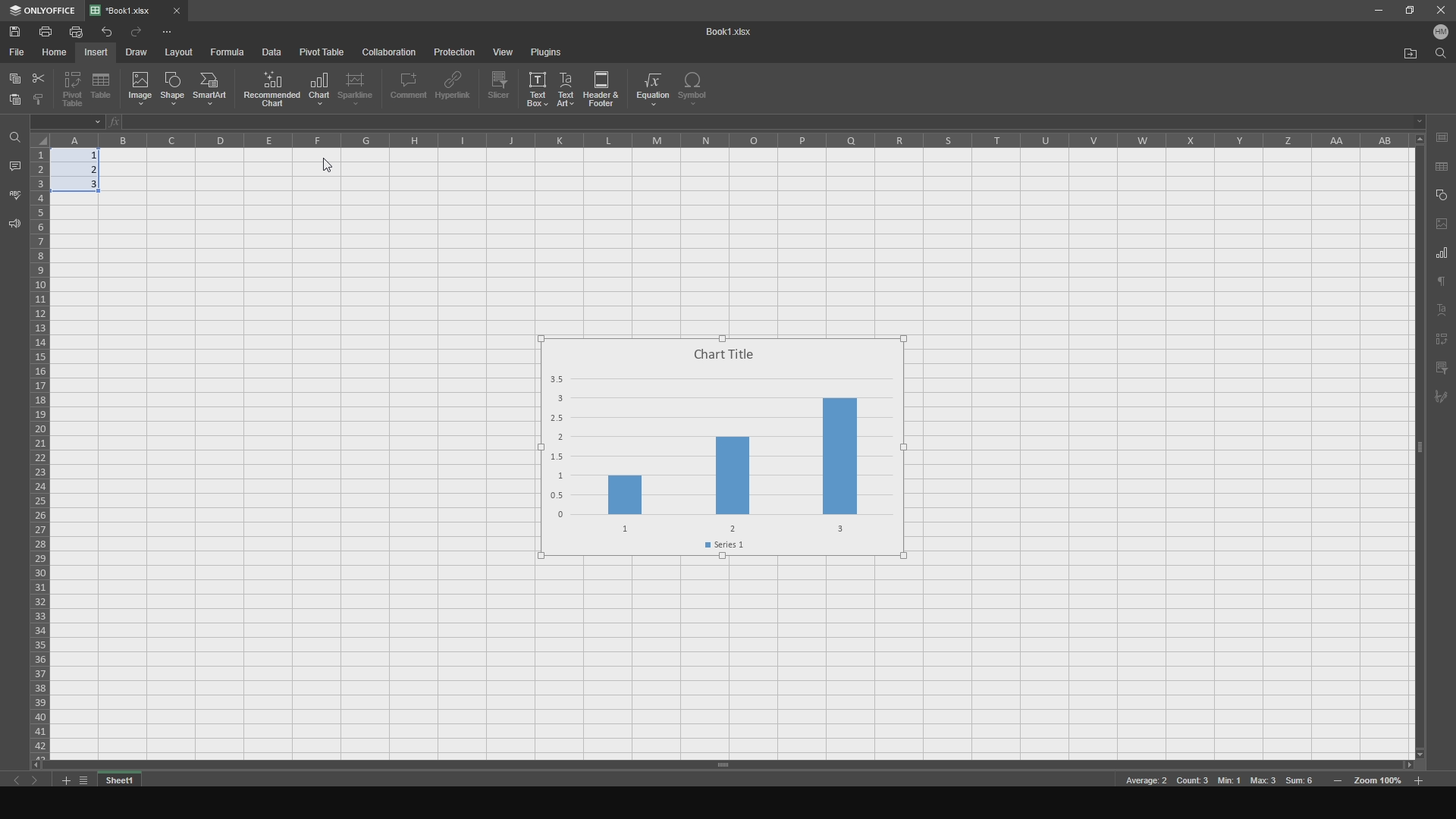  I want to click on hyperlink, so click(454, 88).